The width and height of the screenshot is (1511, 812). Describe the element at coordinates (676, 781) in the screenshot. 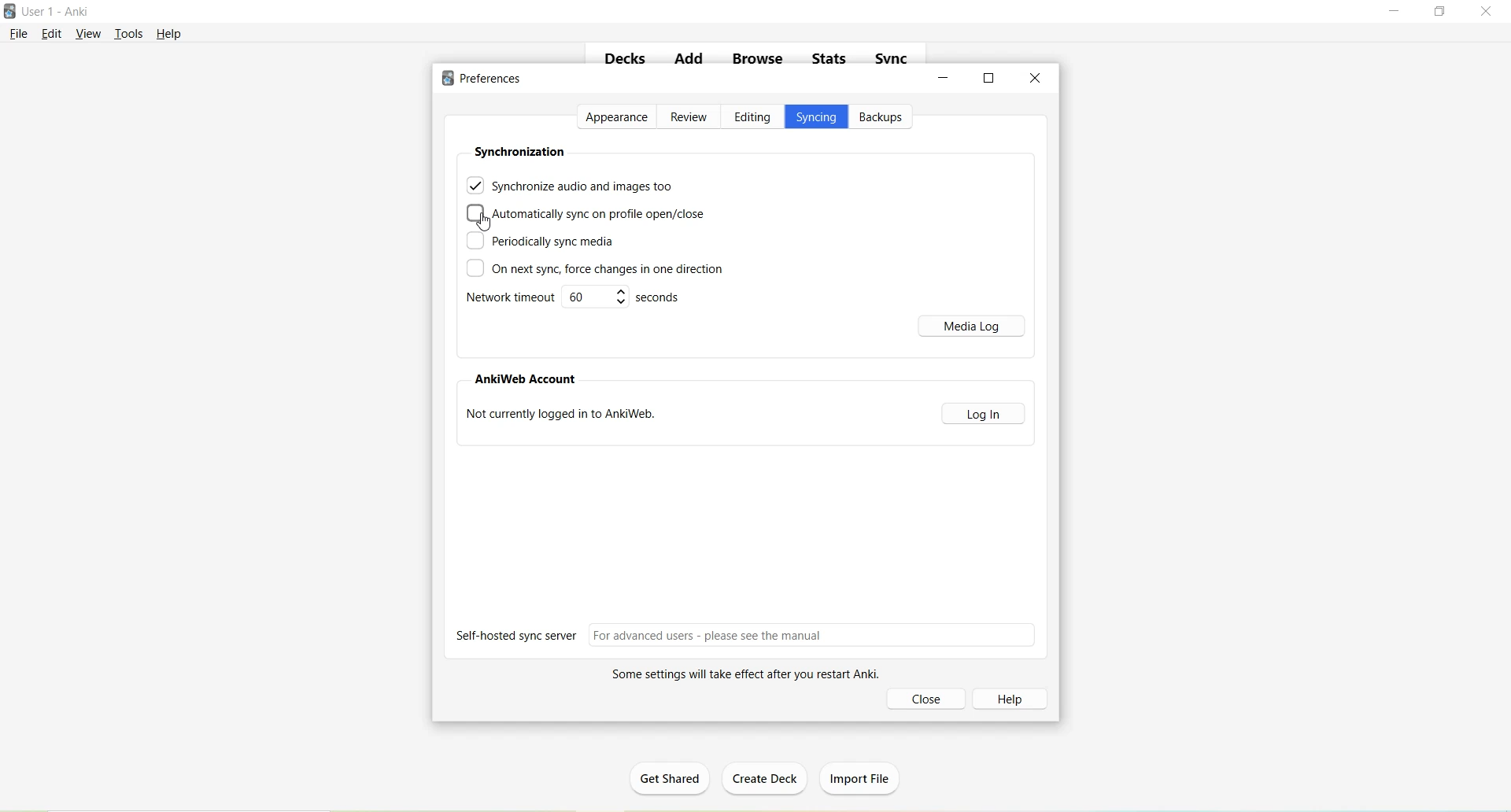

I see `Get Shared` at that location.